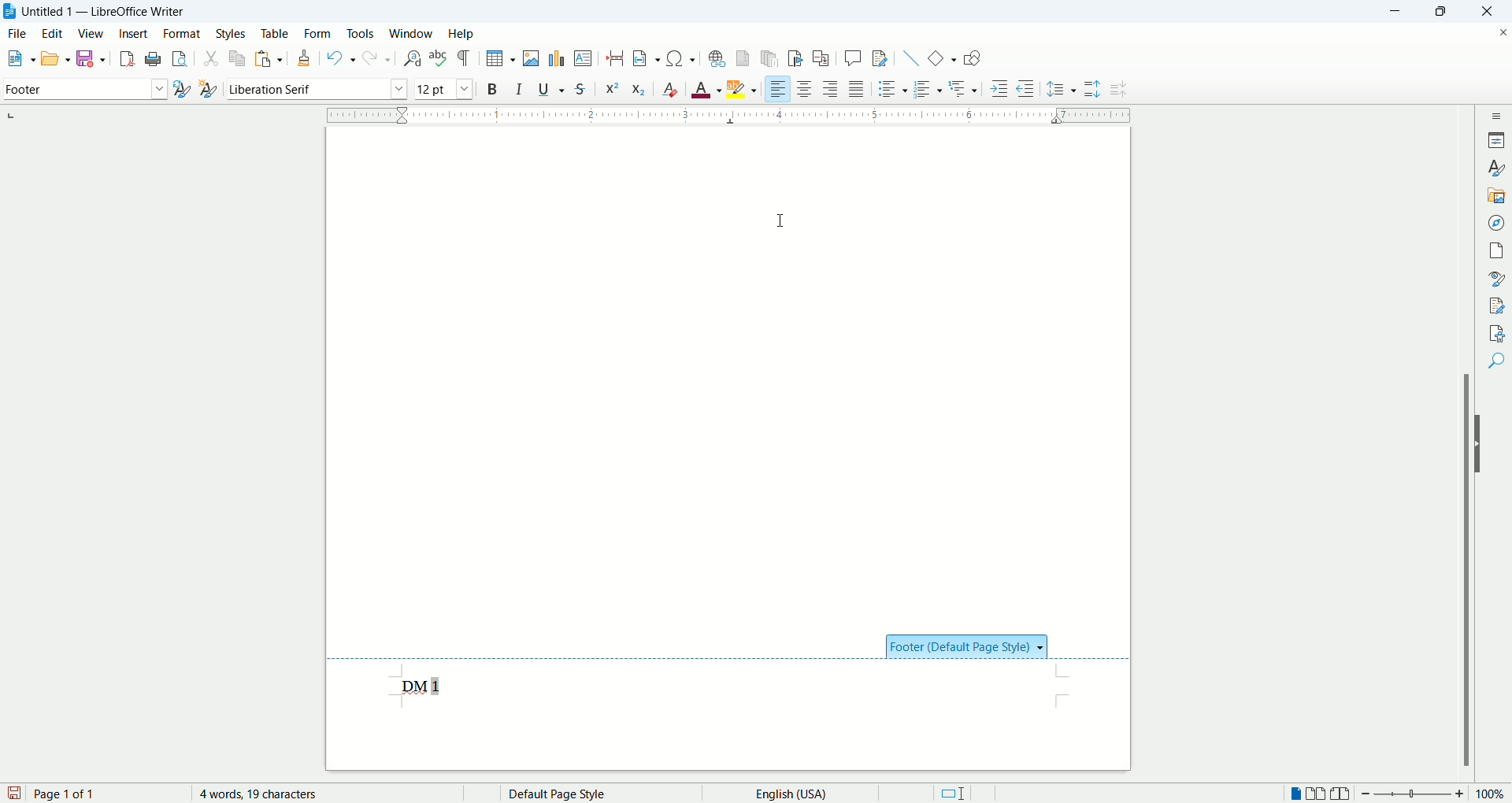 This screenshot has height=803, width=1512. I want to click on single page view, so click(1297, 795).